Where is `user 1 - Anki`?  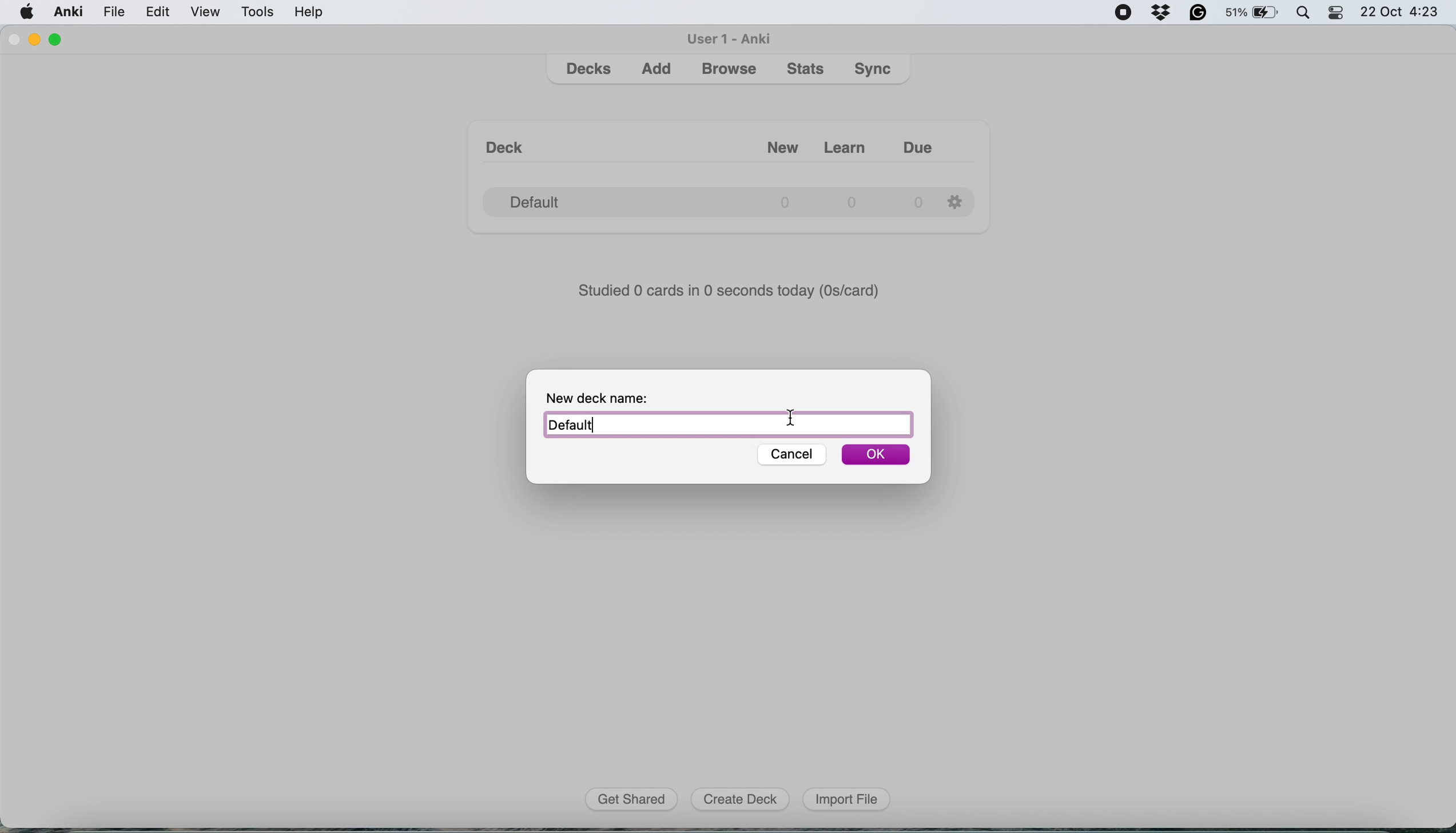
user 1 - Anki is located at coordinates (730, 38).